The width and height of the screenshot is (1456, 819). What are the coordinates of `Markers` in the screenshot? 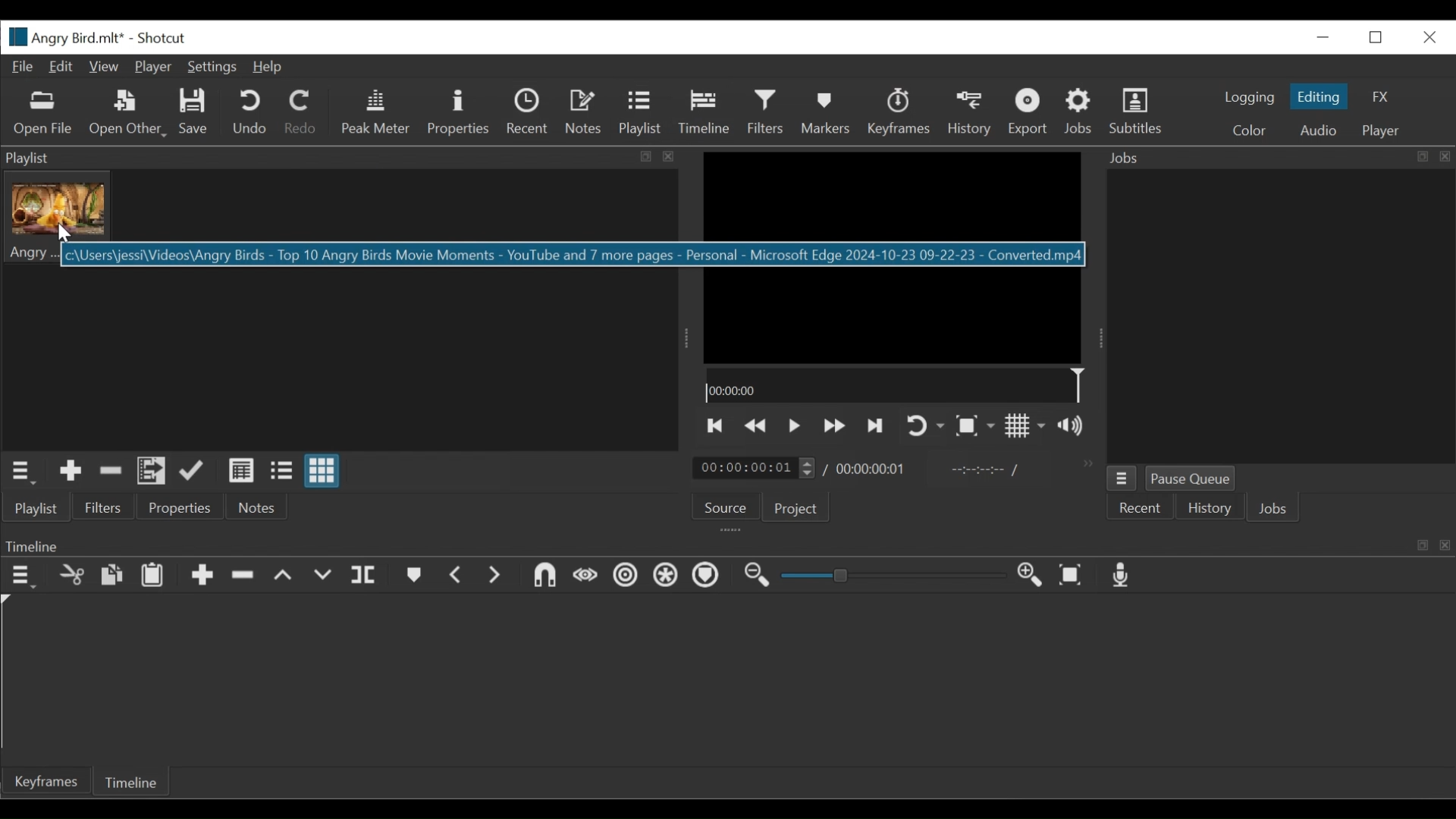 It's located at (827, 114).